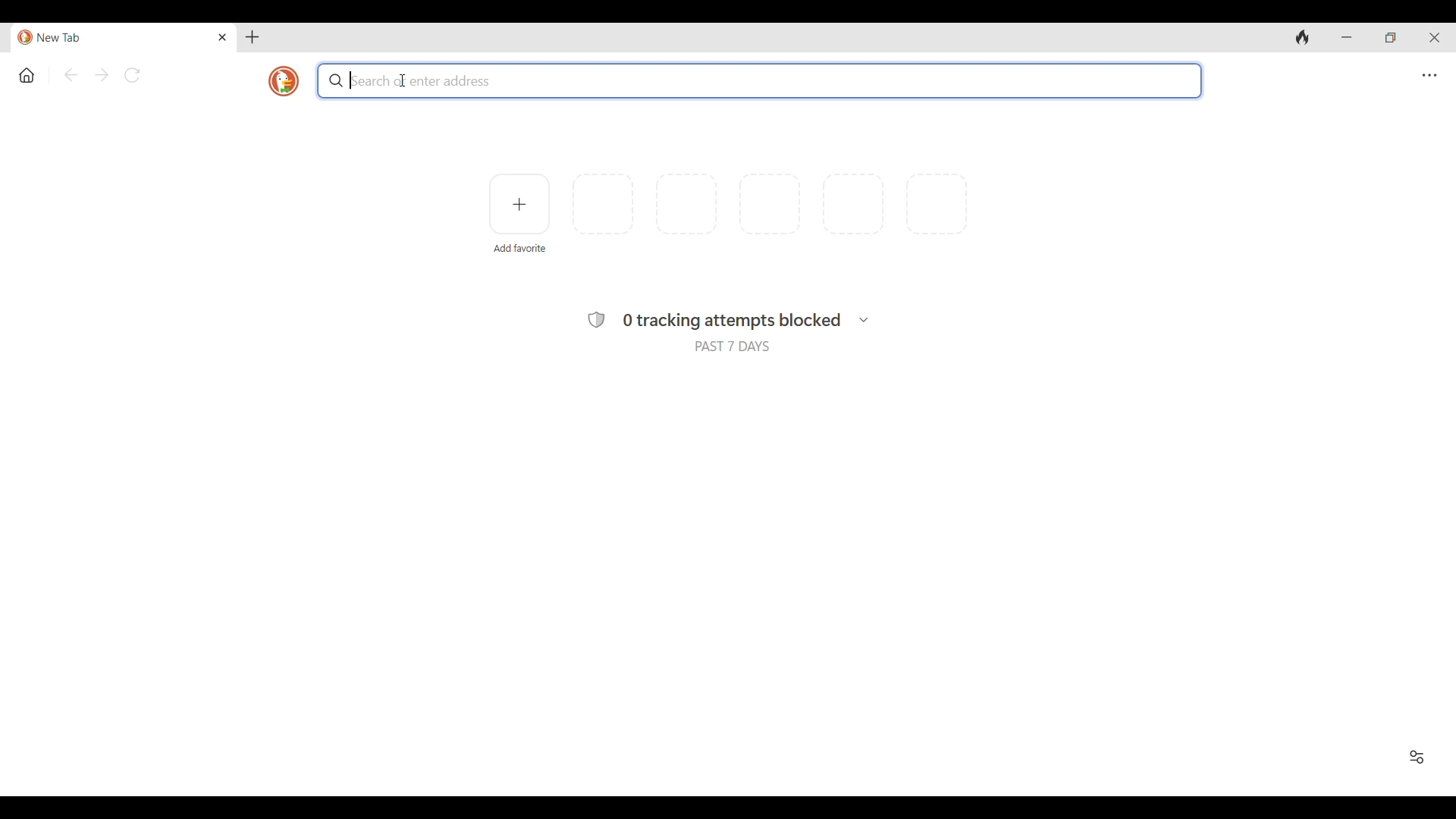 This screenshot has height=819, width=1456. I want to click on Reload page, so click(132, 75).